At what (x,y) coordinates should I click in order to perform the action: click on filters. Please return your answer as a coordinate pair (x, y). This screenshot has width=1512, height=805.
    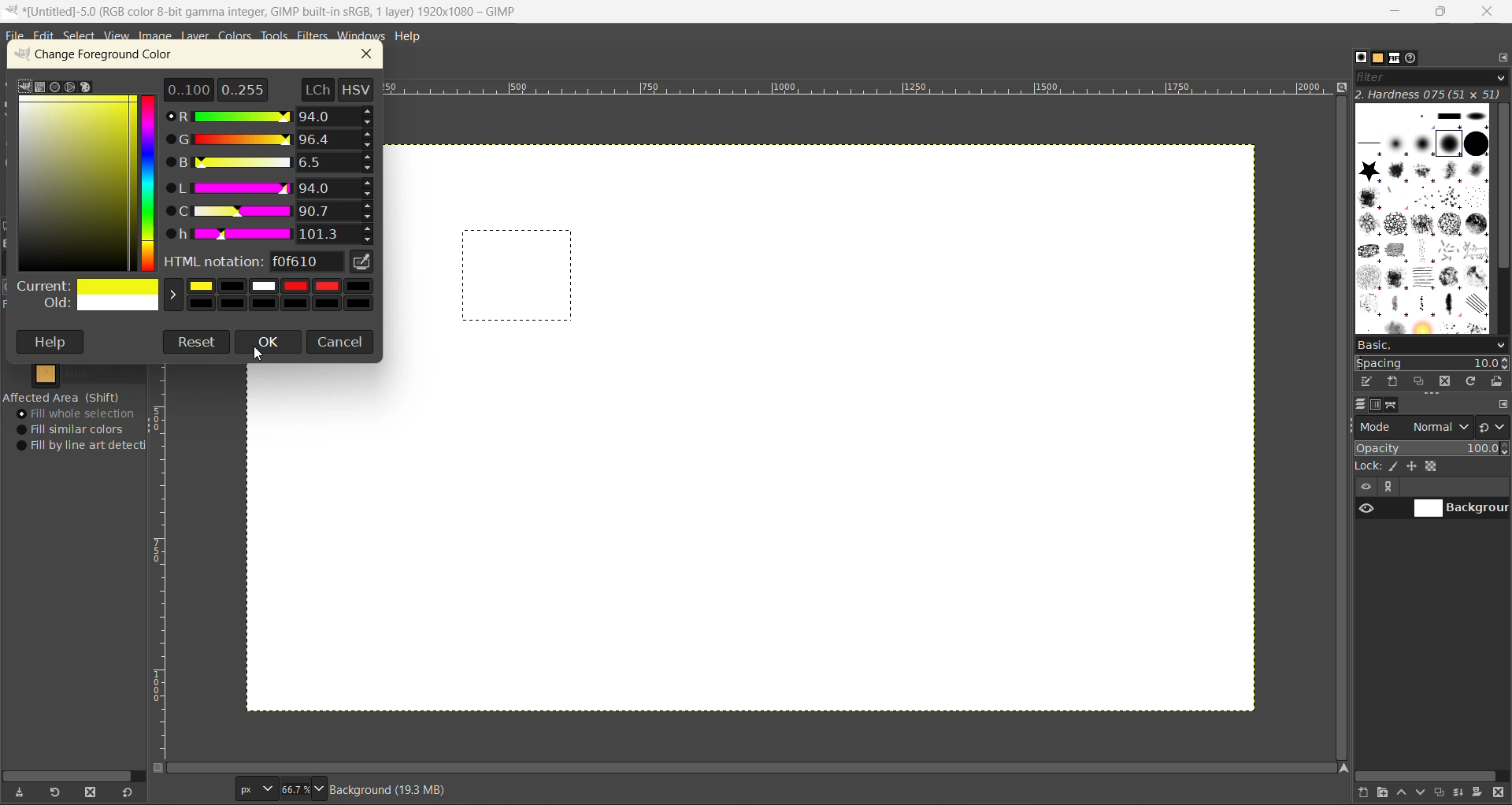
    Looking at the image, I should click on (313, 36).